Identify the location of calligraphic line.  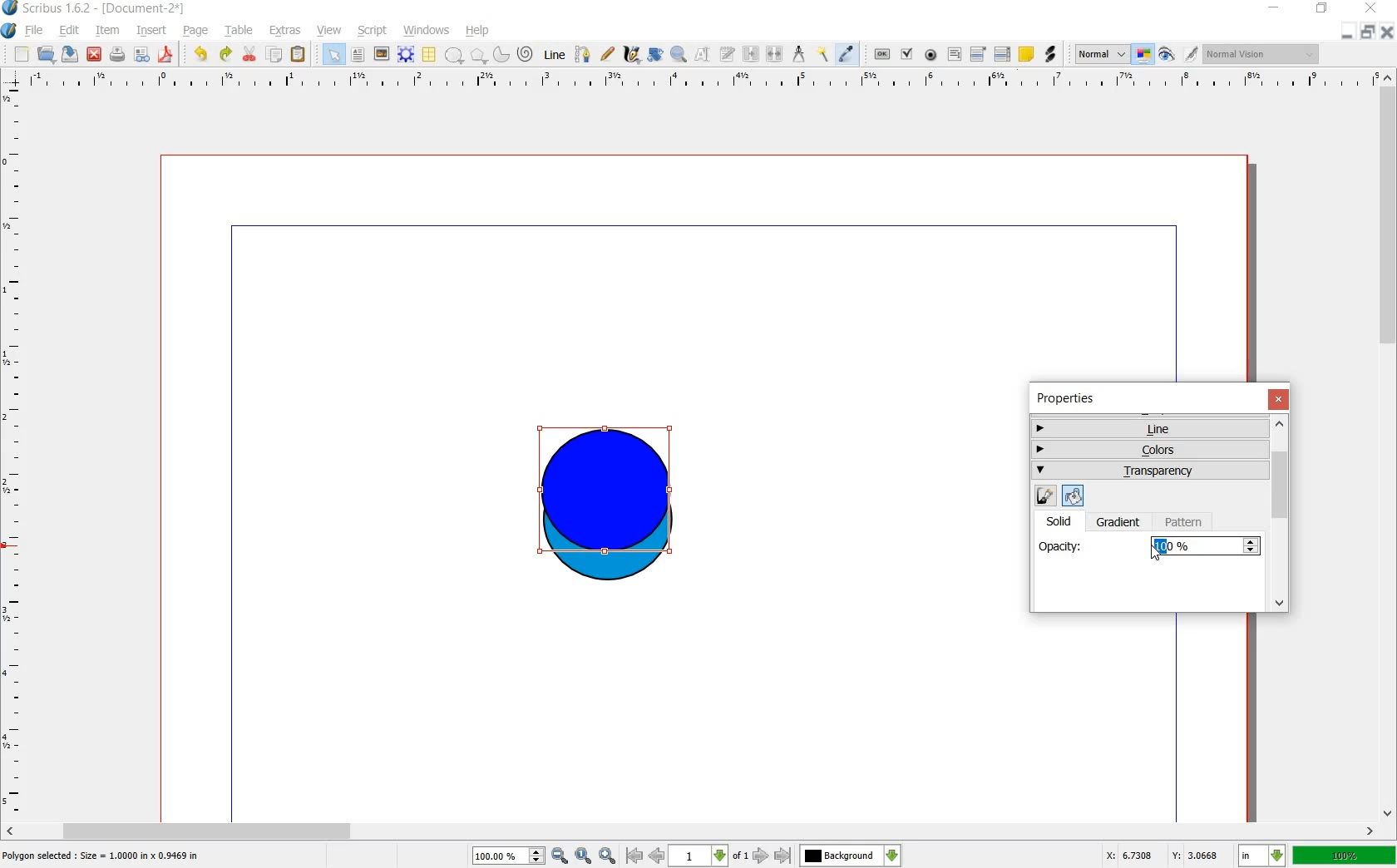
(631, 57).